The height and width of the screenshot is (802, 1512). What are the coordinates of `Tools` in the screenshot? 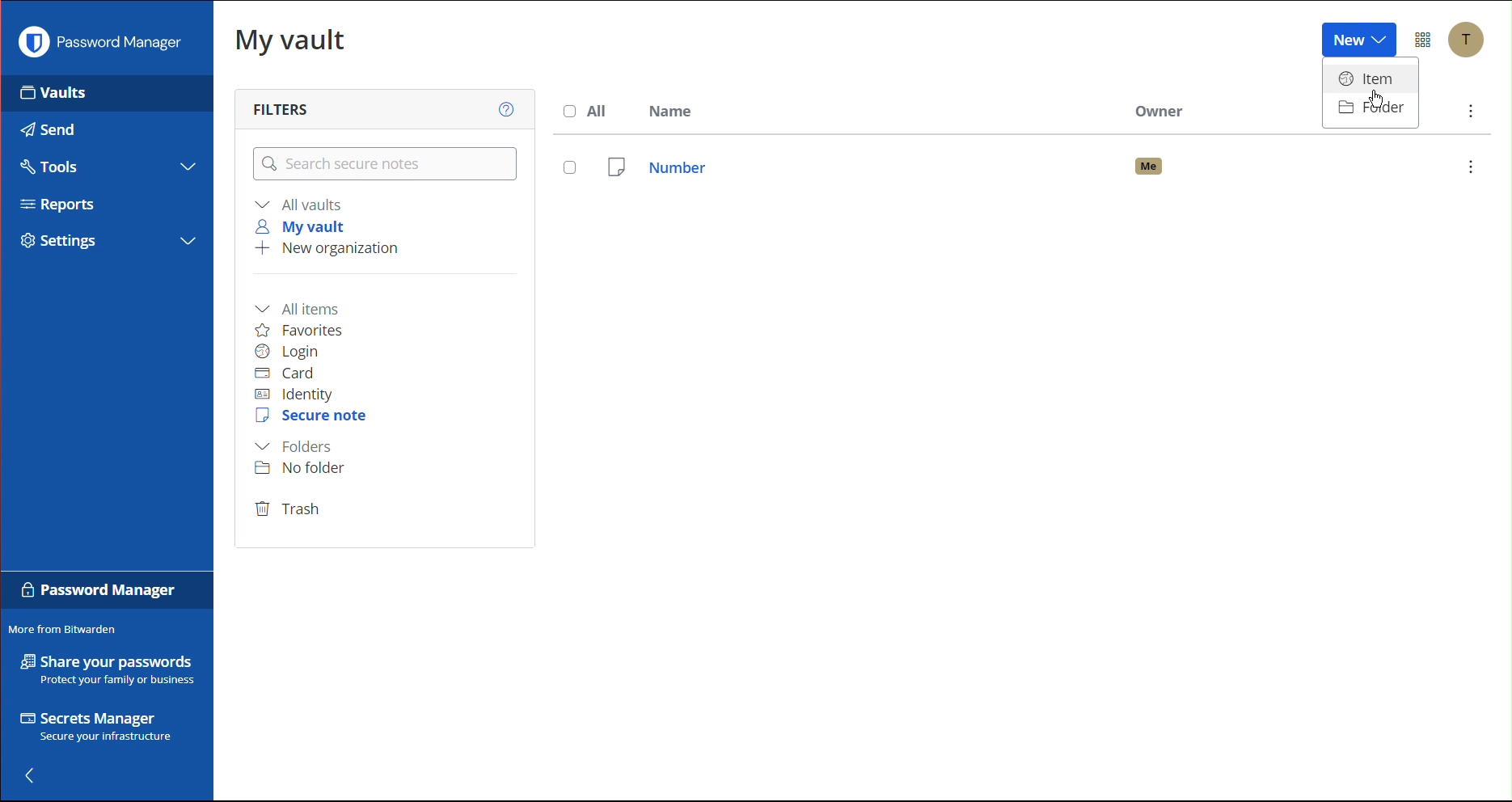 It's located at (47, 164).